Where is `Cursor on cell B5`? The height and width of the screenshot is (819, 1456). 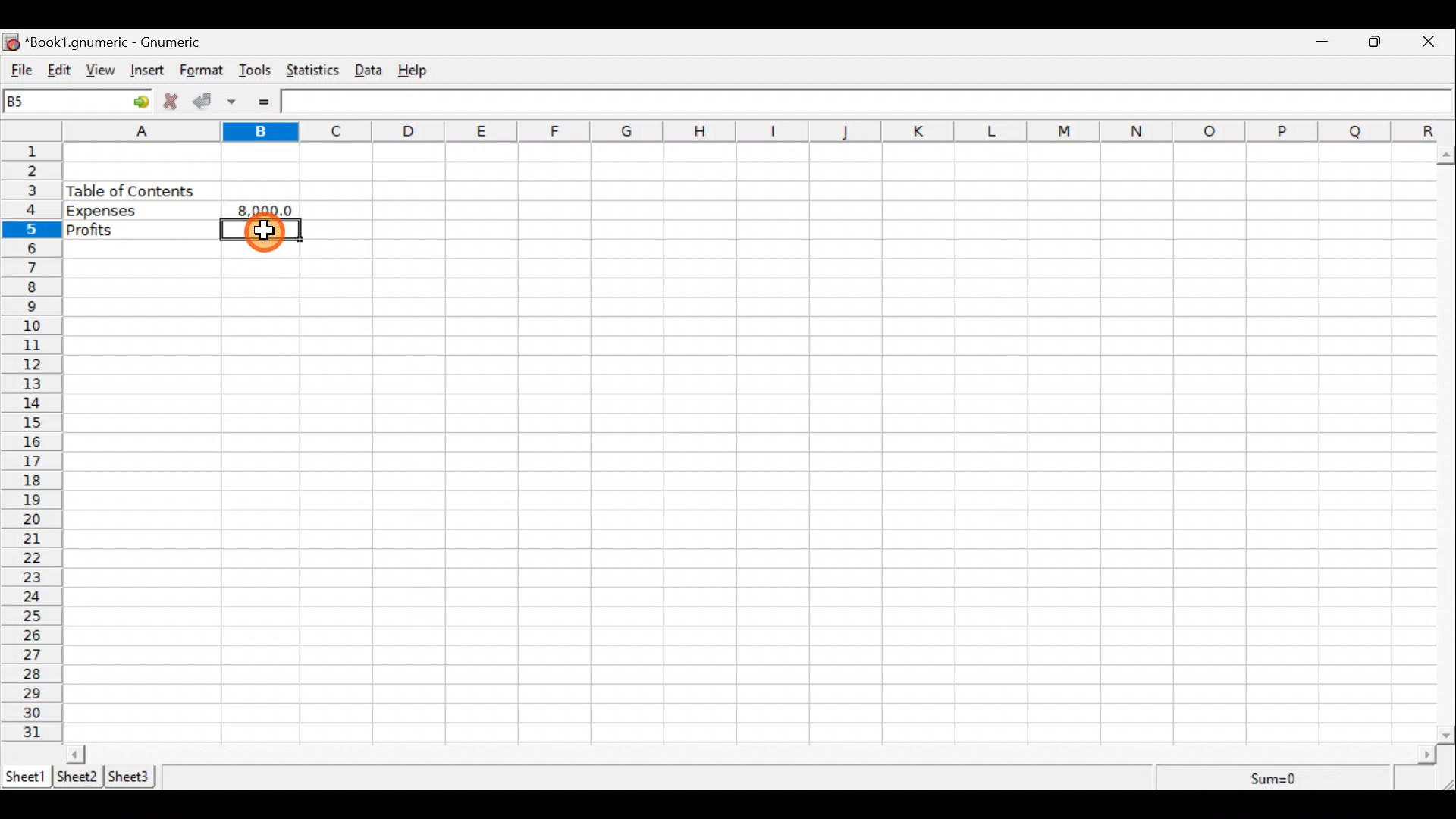
Cursor on cell B5 is located at coordinates (267, 240).